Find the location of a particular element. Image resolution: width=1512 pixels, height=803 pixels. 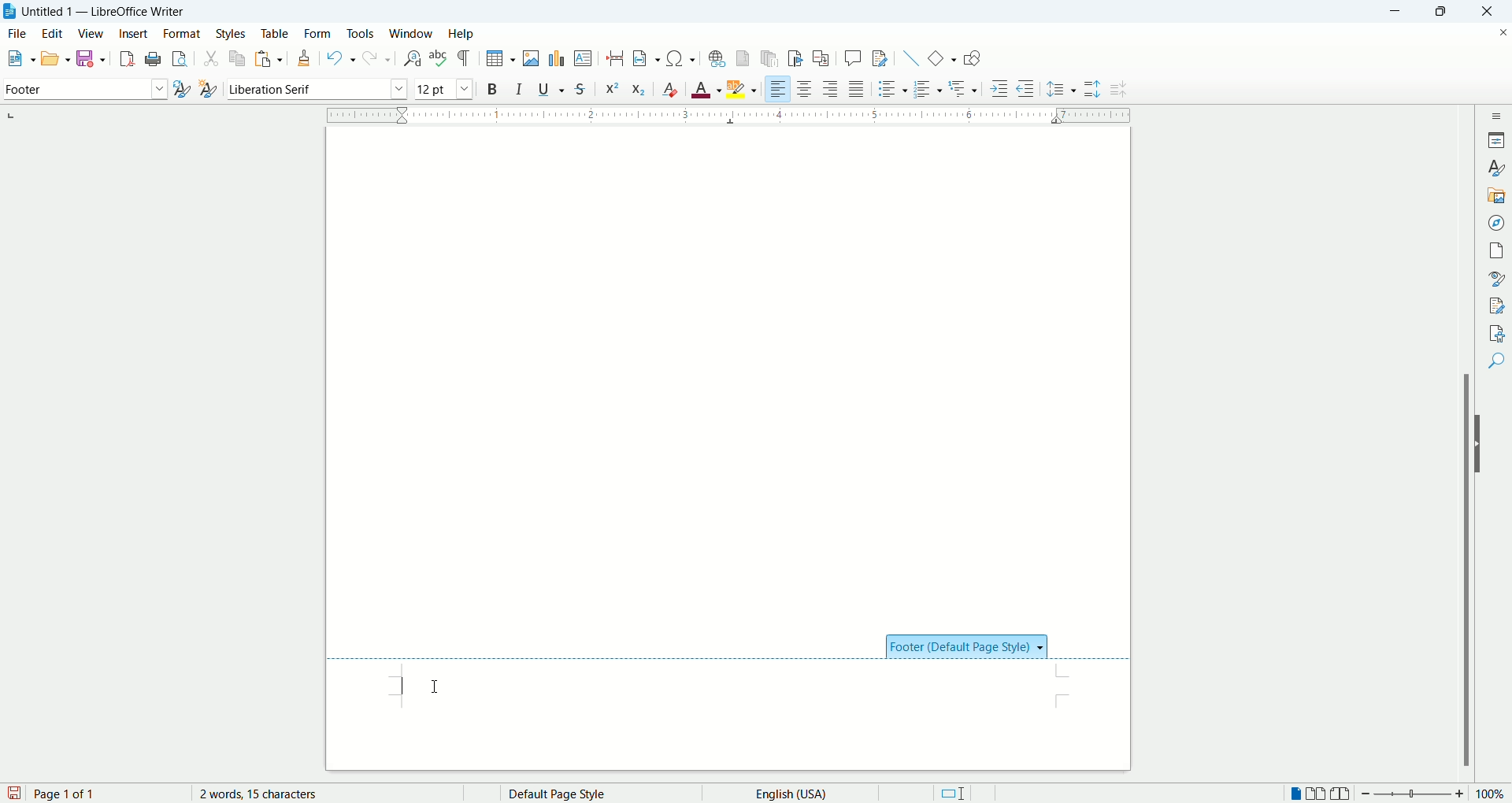

line spacing is located at coordinates (1062, 91).